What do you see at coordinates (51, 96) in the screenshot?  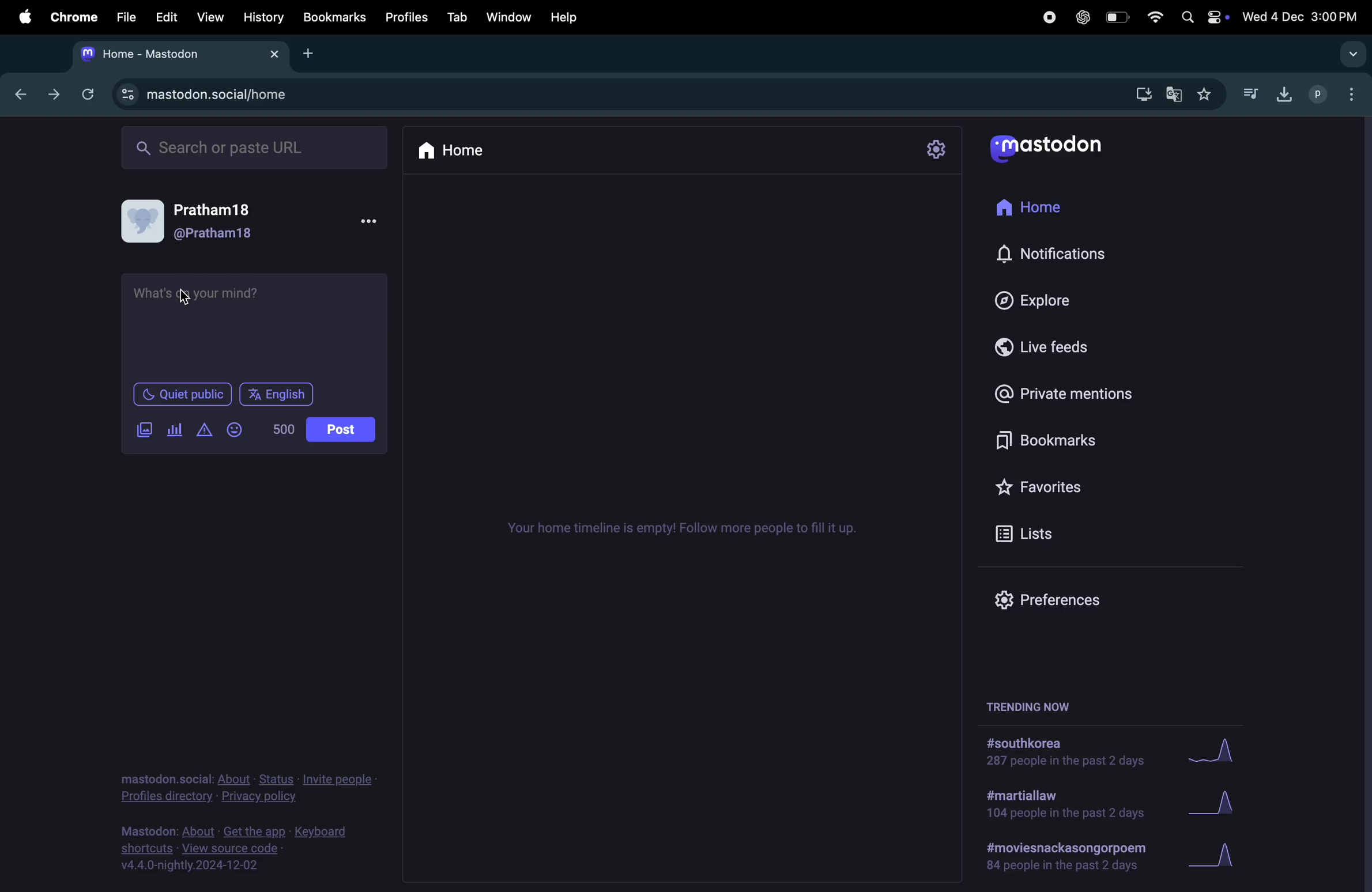 I see `frwardward` at bounding box center [51, 96].